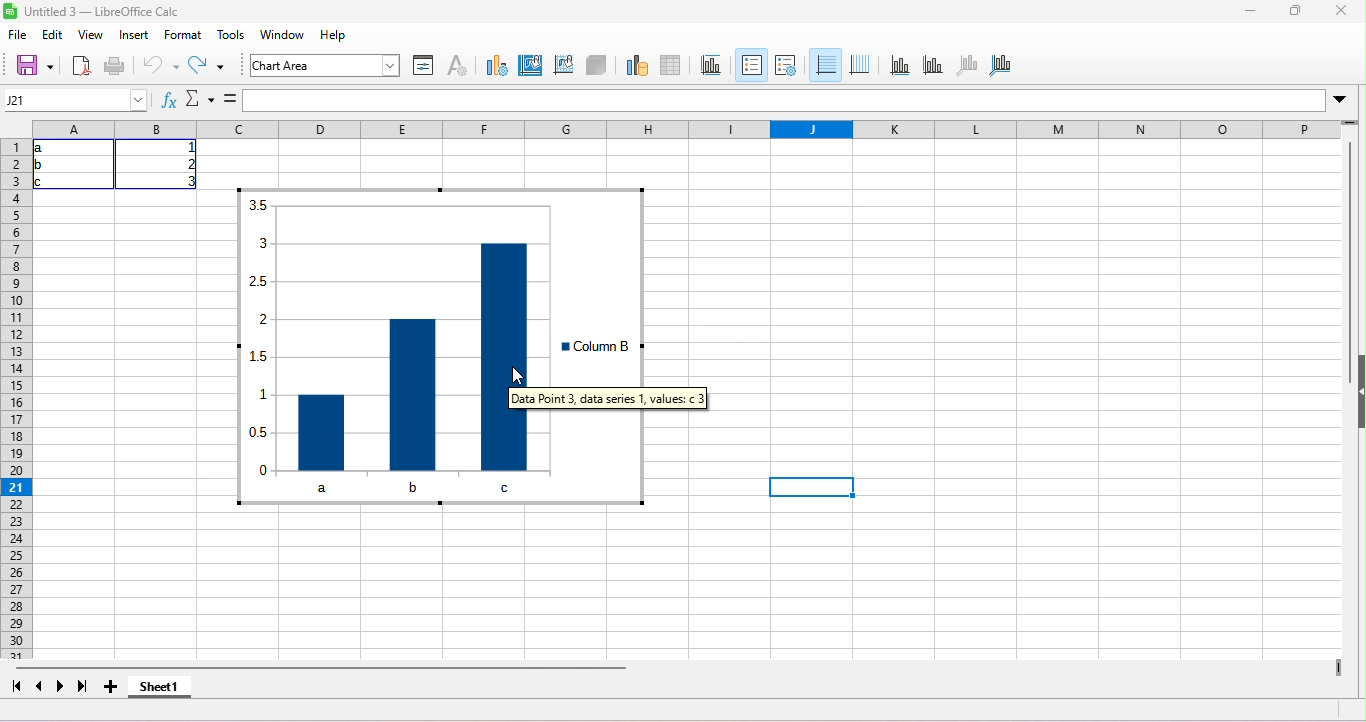 The image size is (1366, 722). I want to click on data point1, so click(324, 431).